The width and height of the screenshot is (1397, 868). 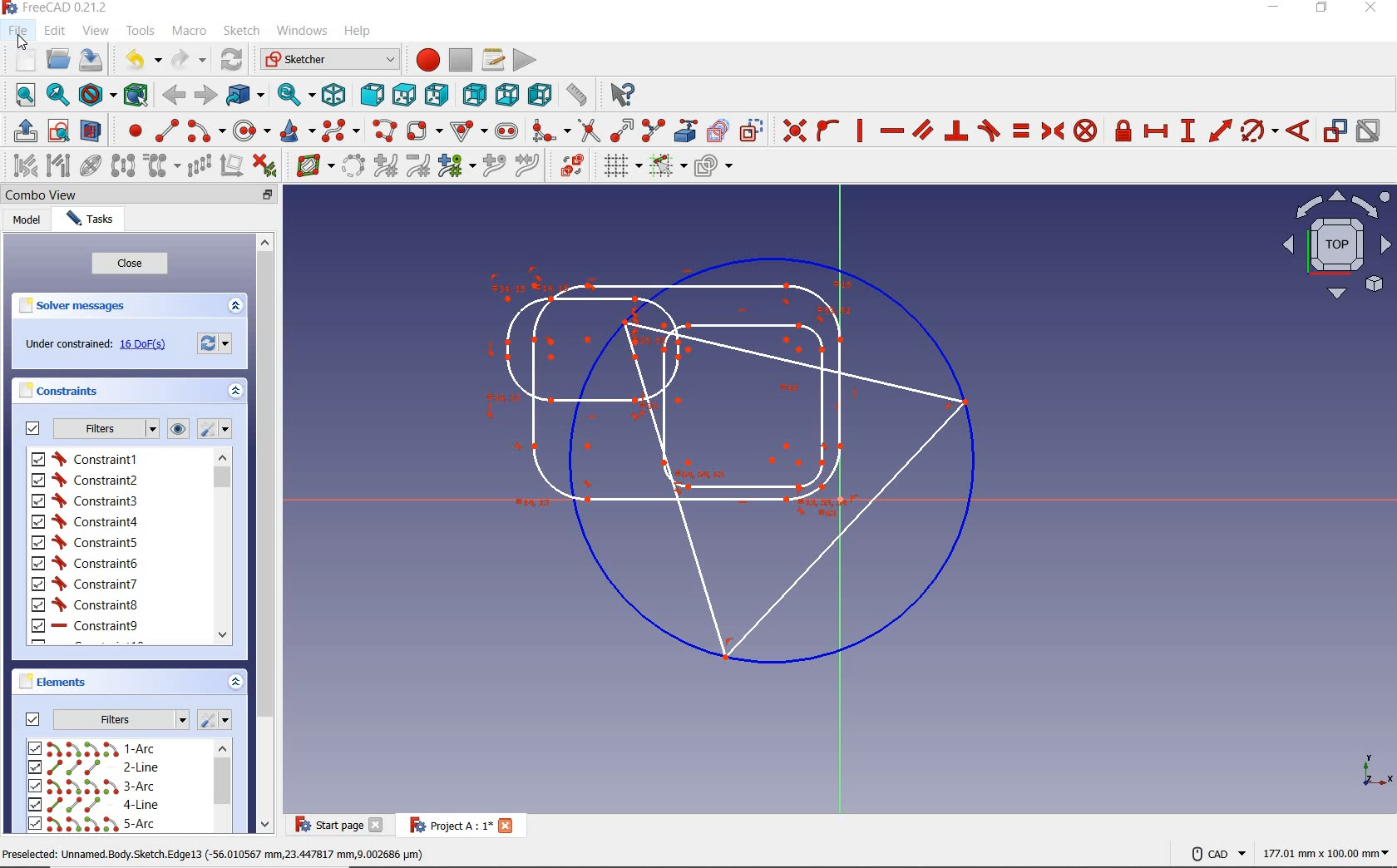 What do you see at coordinates (526, 165) in the screenshot?
I see `join curves` at bounding box center [526, 165].